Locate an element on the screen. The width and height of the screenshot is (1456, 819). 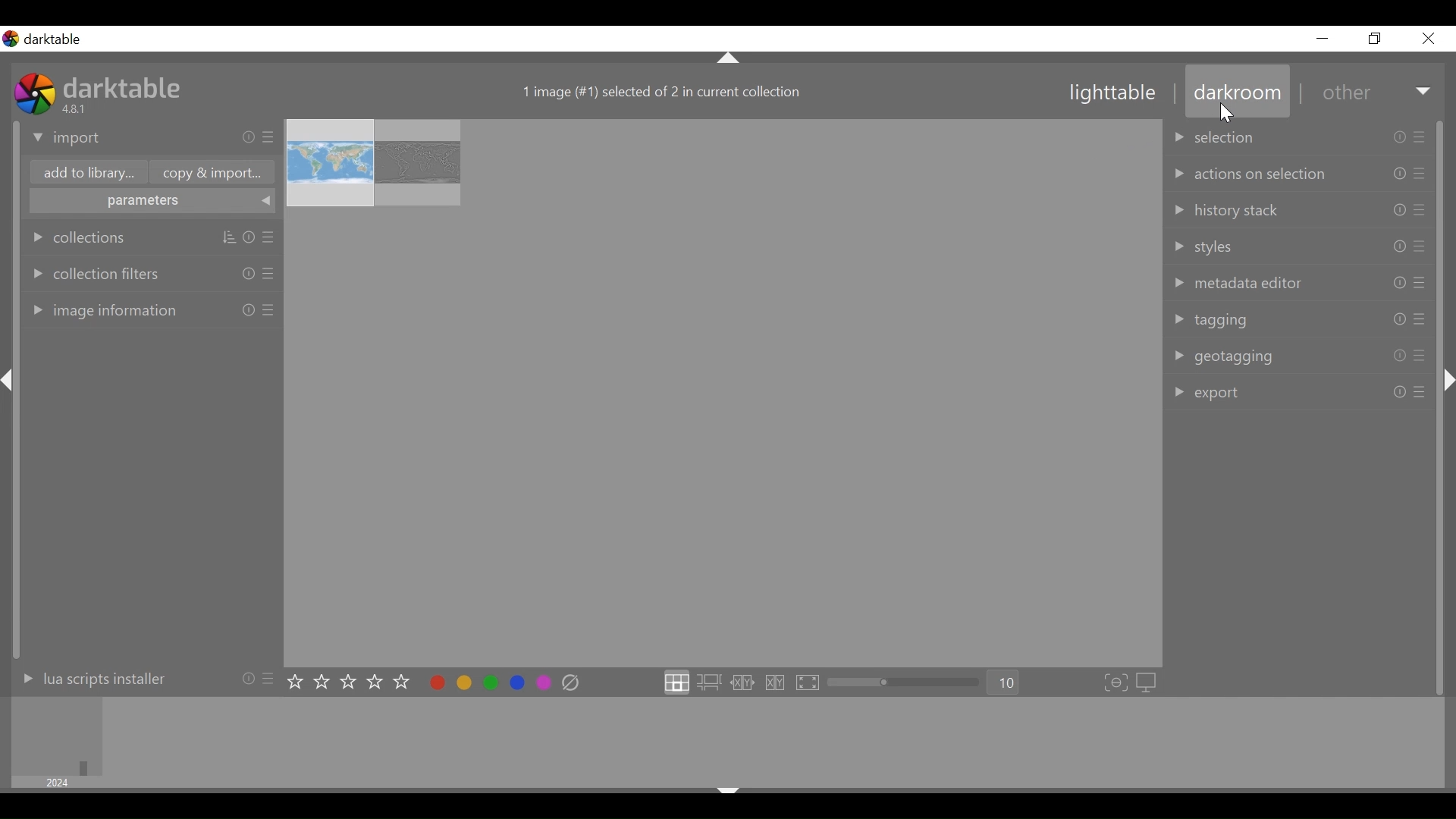
Zoom factor is located at coordinates (1005, 682).